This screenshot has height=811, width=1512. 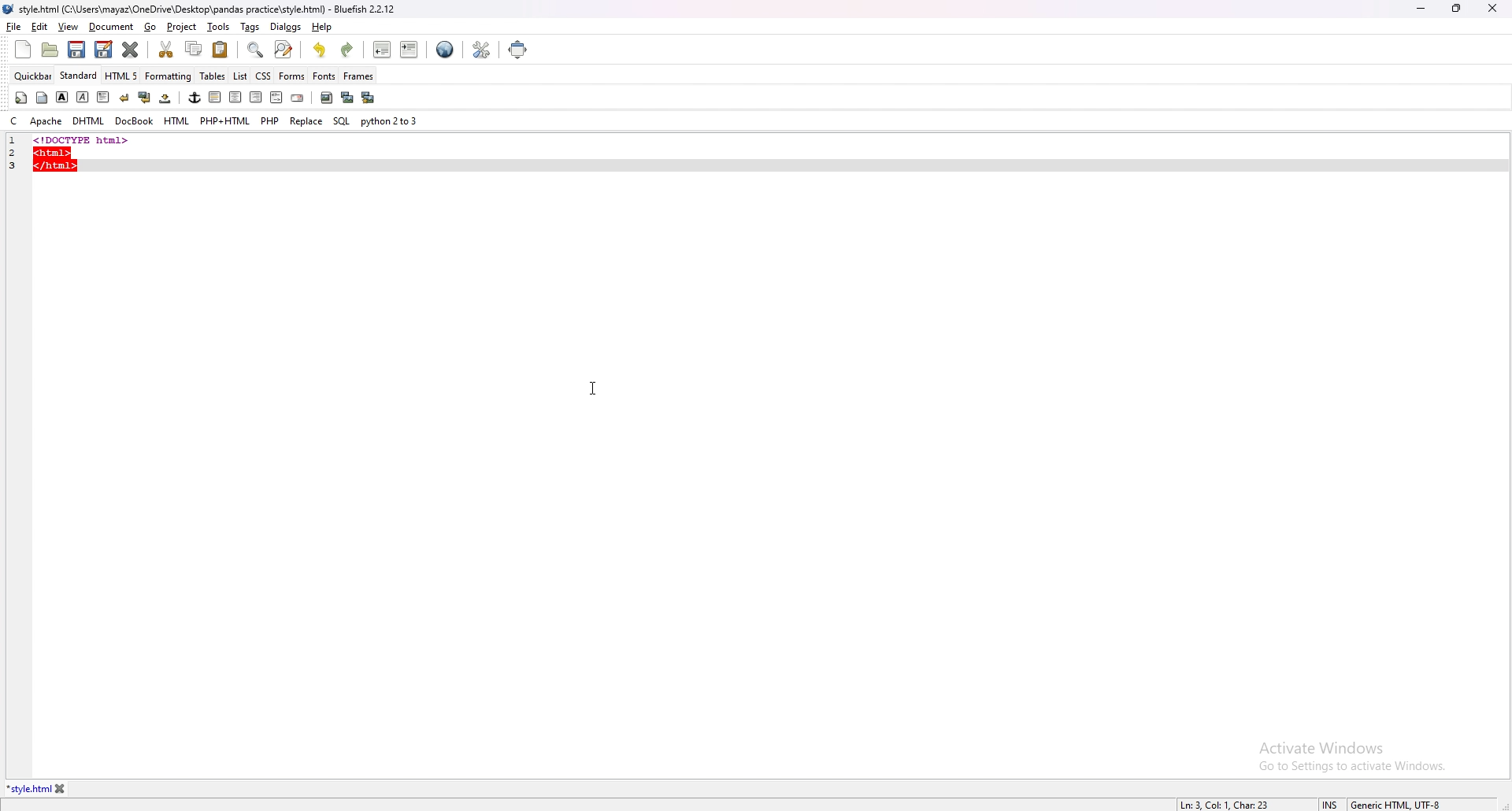 What do you see at coordinates (1395, 803) in the screenshot?
I see `encoding` at bounding box center [1395, 803].